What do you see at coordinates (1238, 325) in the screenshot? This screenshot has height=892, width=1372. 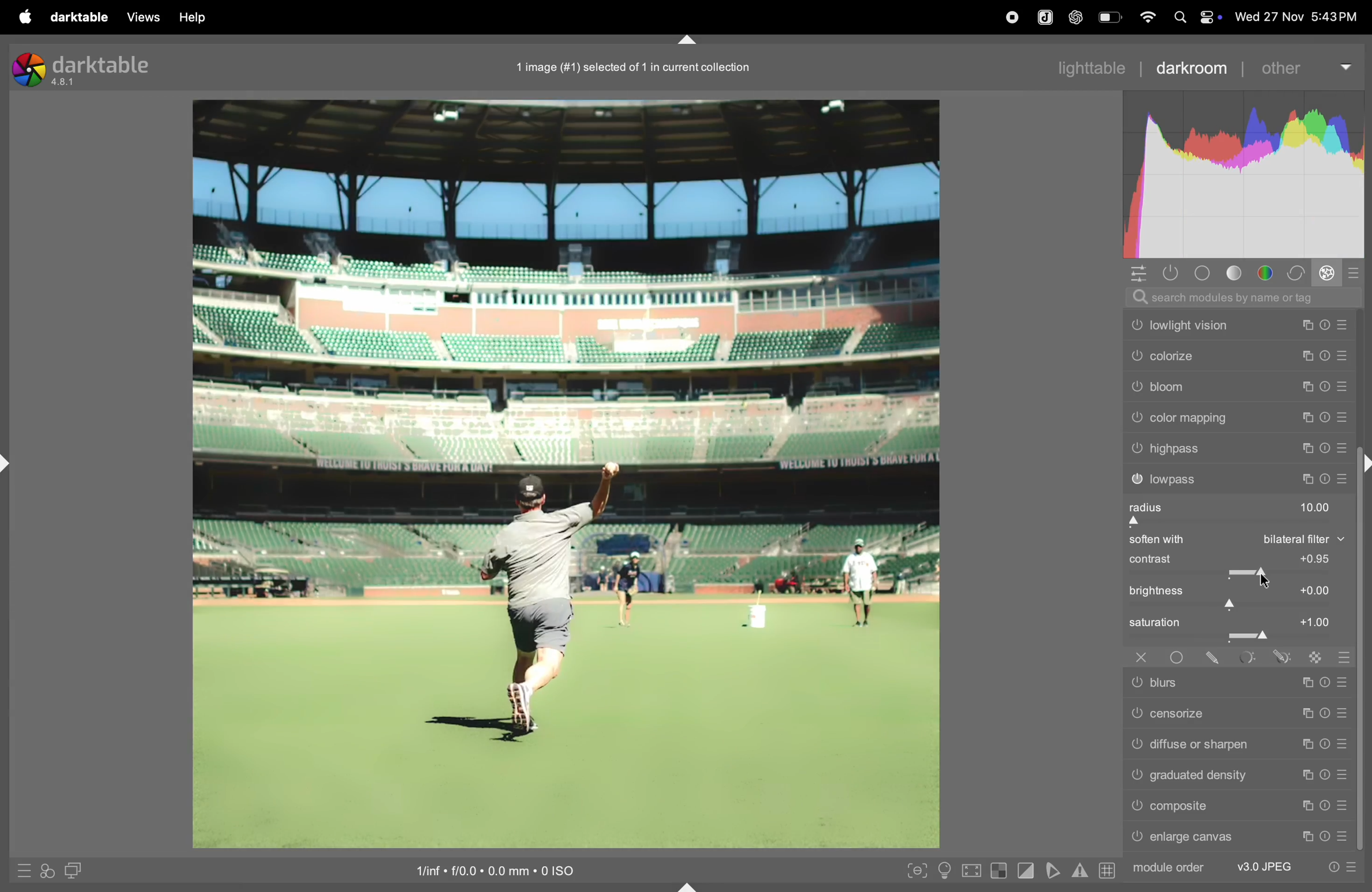 I see `low light vision` at bounding box center [1238, 325].